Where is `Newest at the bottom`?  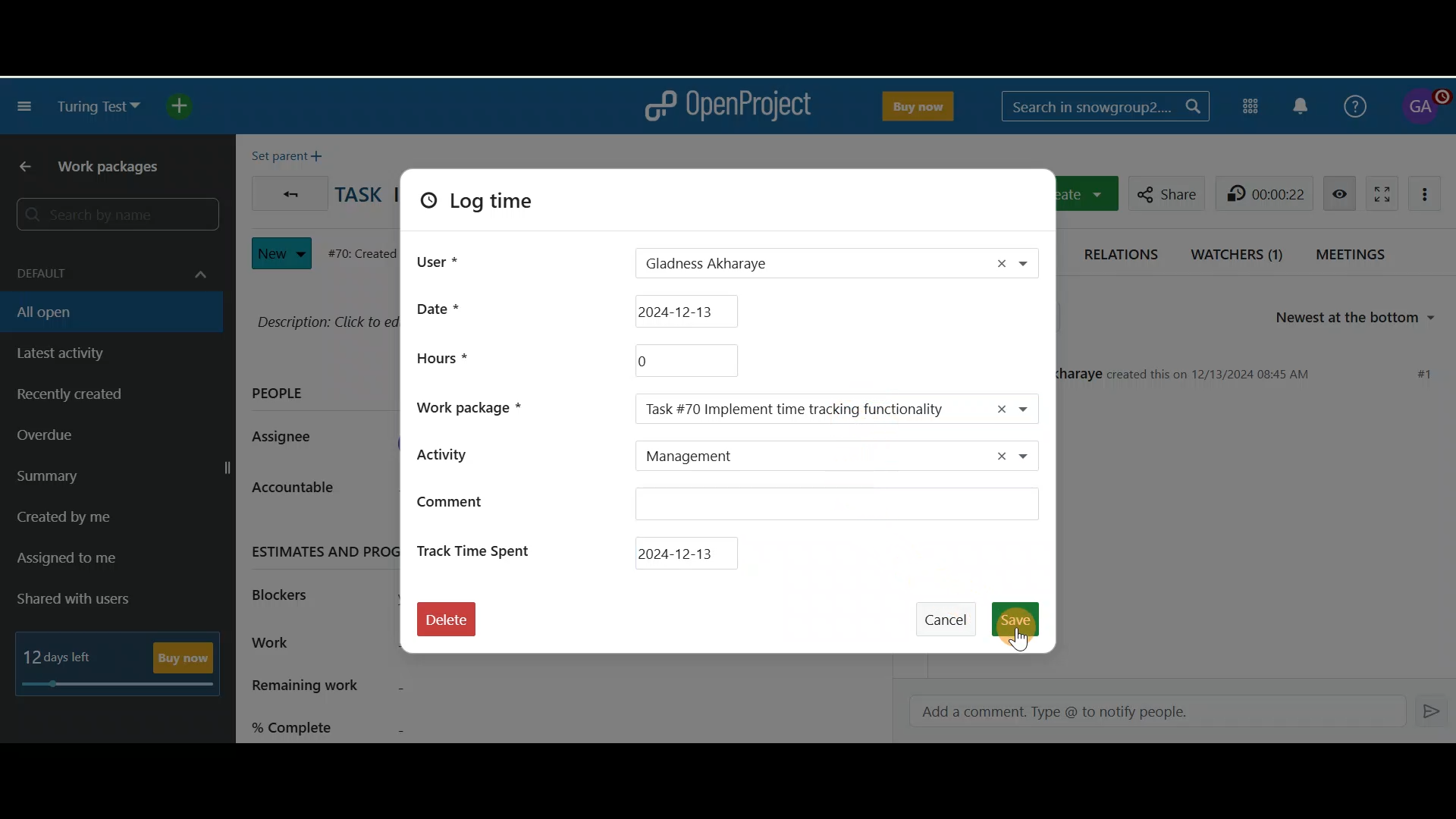 Newest at the bottom is located at coordinates (1363, 318).